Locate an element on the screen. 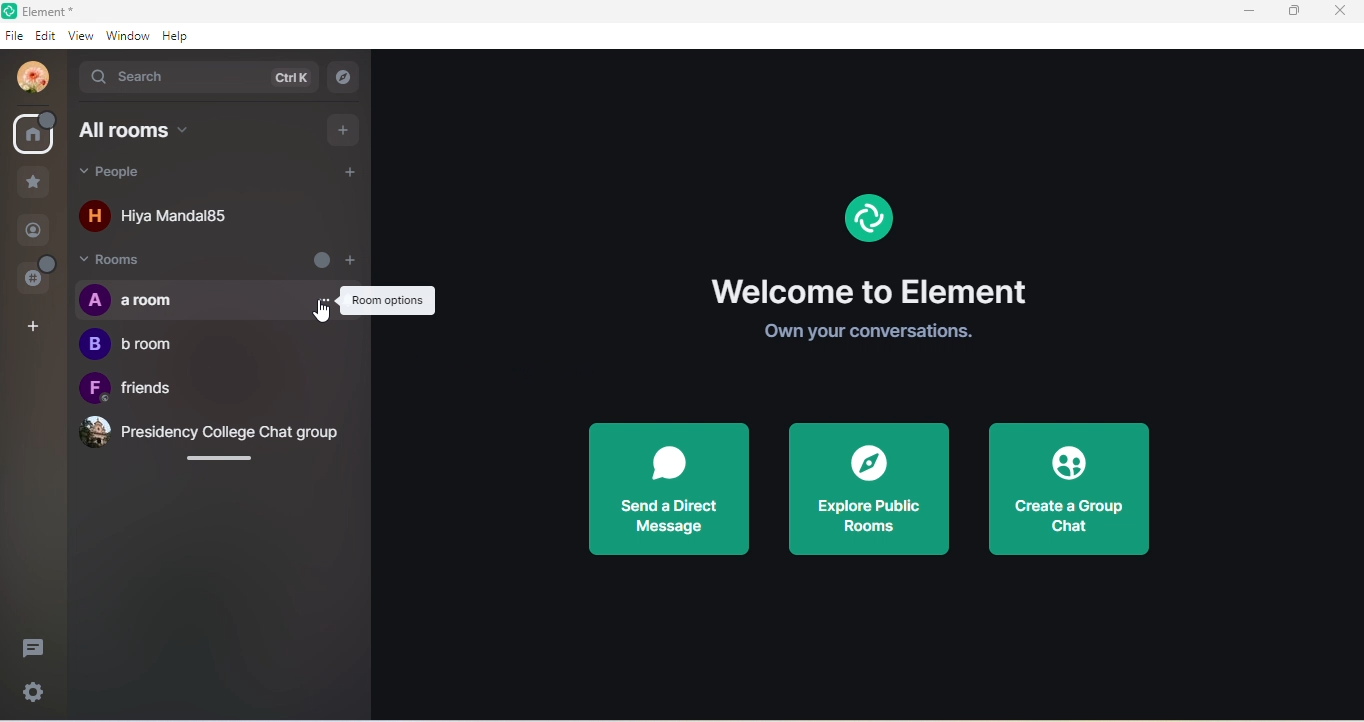 This screenshot has height=722, width=1364. add is located at coordinates (337, 257).